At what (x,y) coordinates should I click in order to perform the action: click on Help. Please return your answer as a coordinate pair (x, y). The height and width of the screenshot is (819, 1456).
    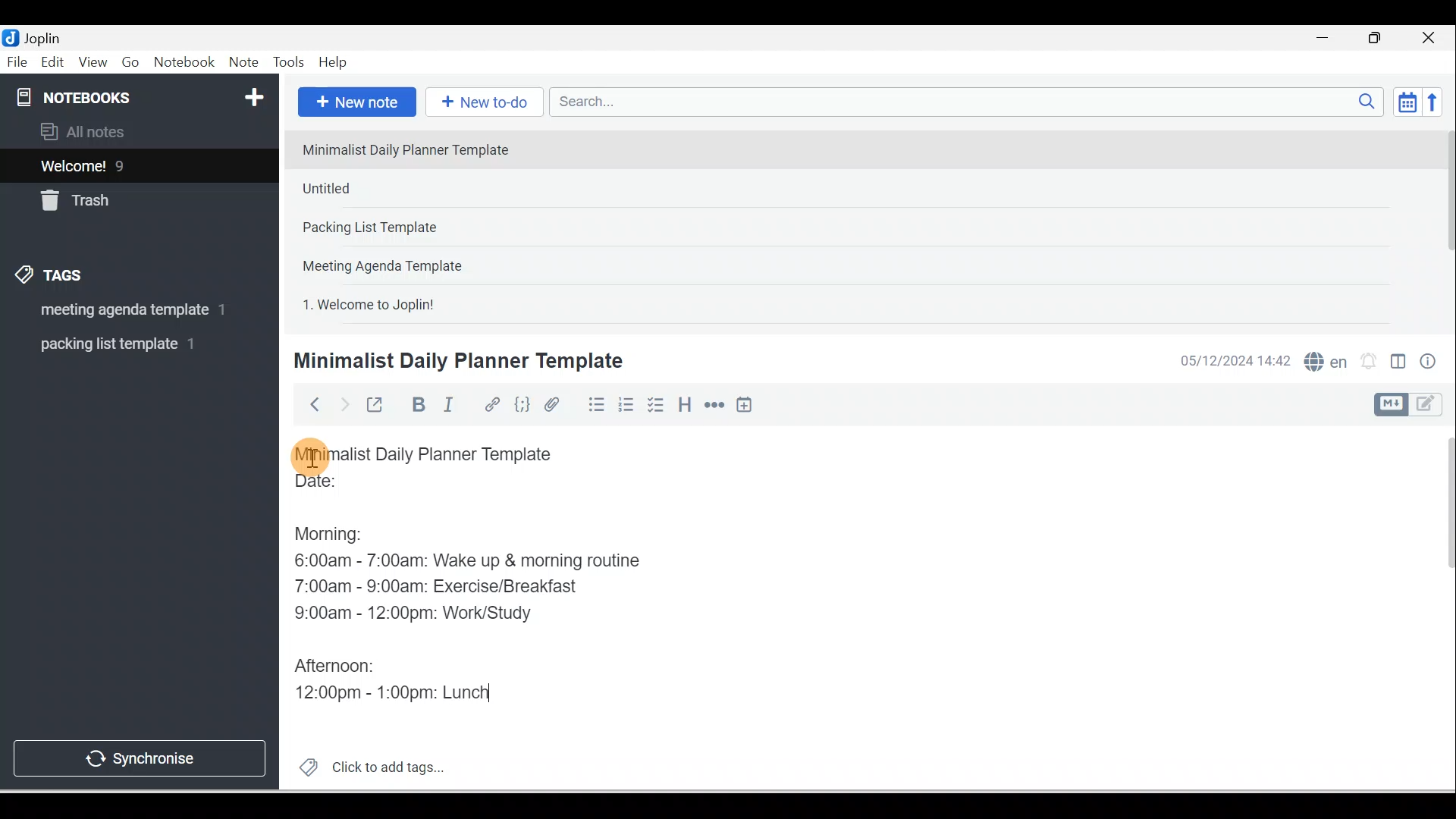
    Looking at the image, I should click on (334, 63).